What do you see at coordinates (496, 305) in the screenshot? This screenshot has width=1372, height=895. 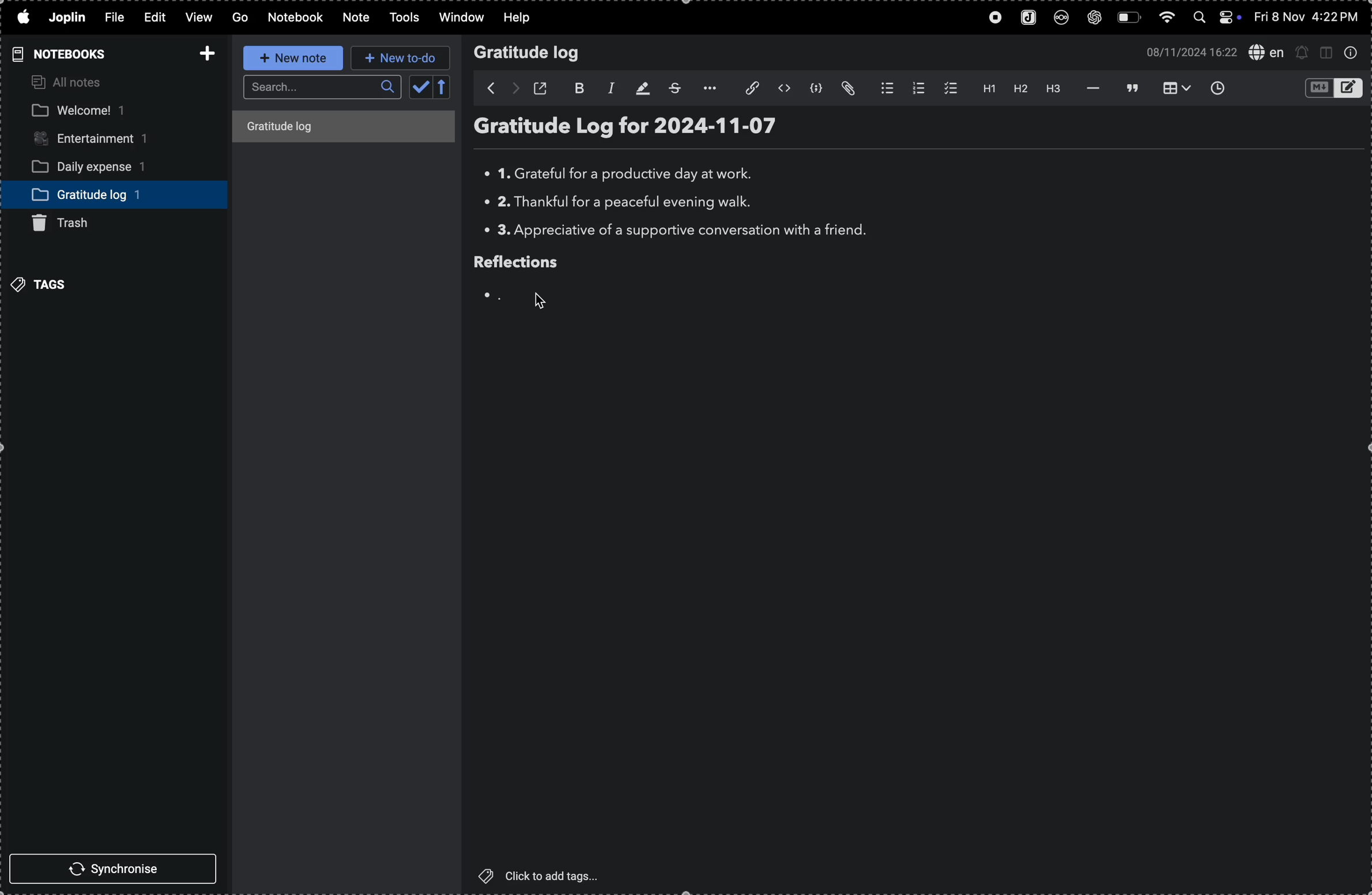 I see `` at bounding box center [496, 305].